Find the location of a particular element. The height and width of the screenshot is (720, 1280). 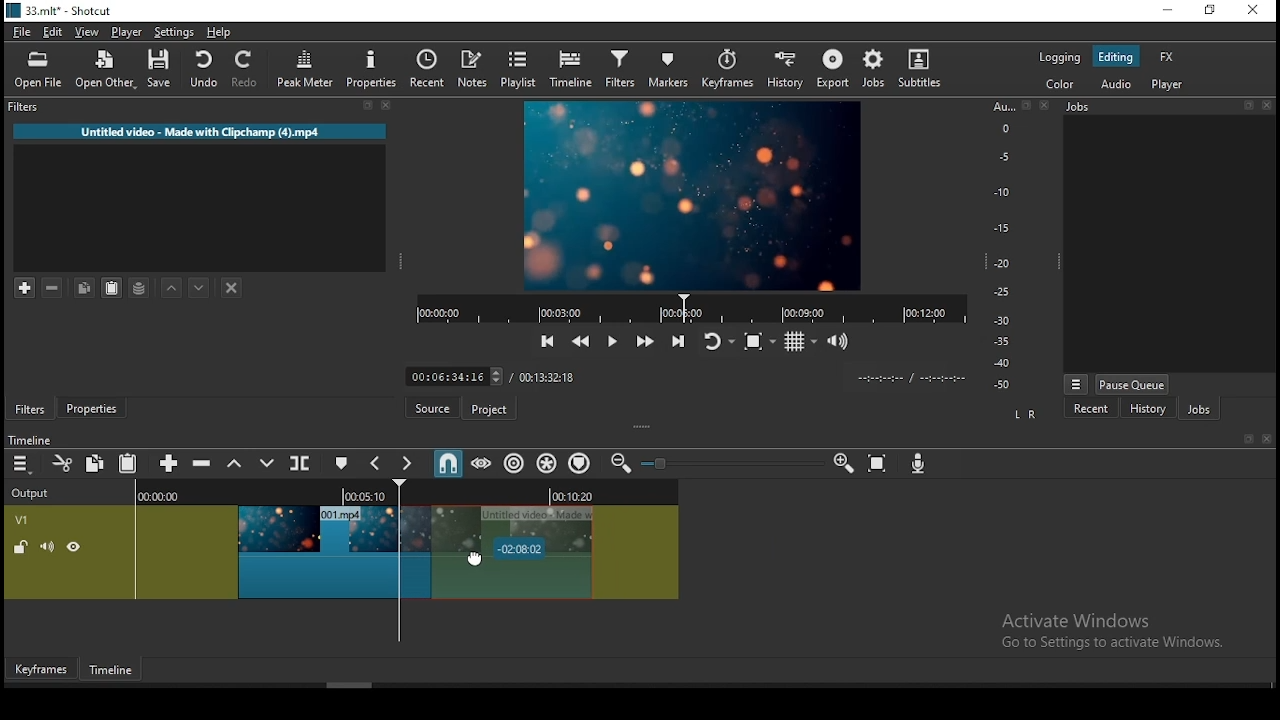

zoom timeline in is located at coordinates (843, 464).